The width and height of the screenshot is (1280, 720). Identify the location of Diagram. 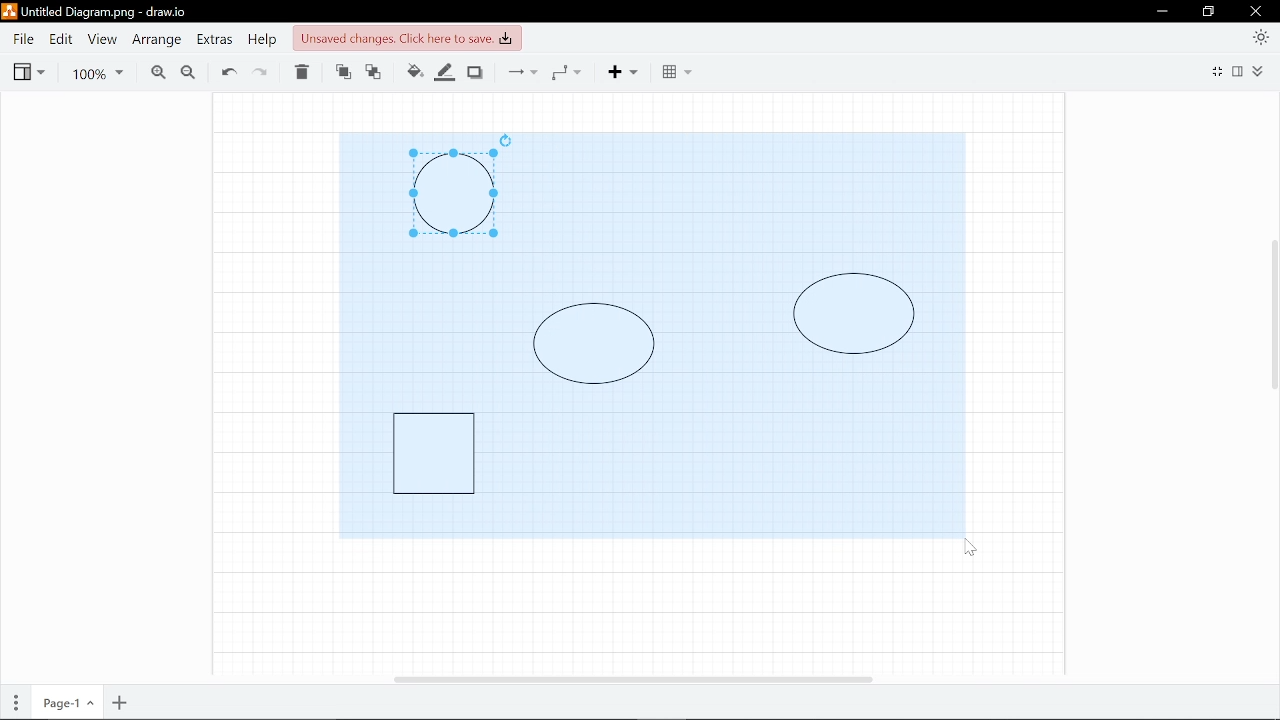
(594, 343).